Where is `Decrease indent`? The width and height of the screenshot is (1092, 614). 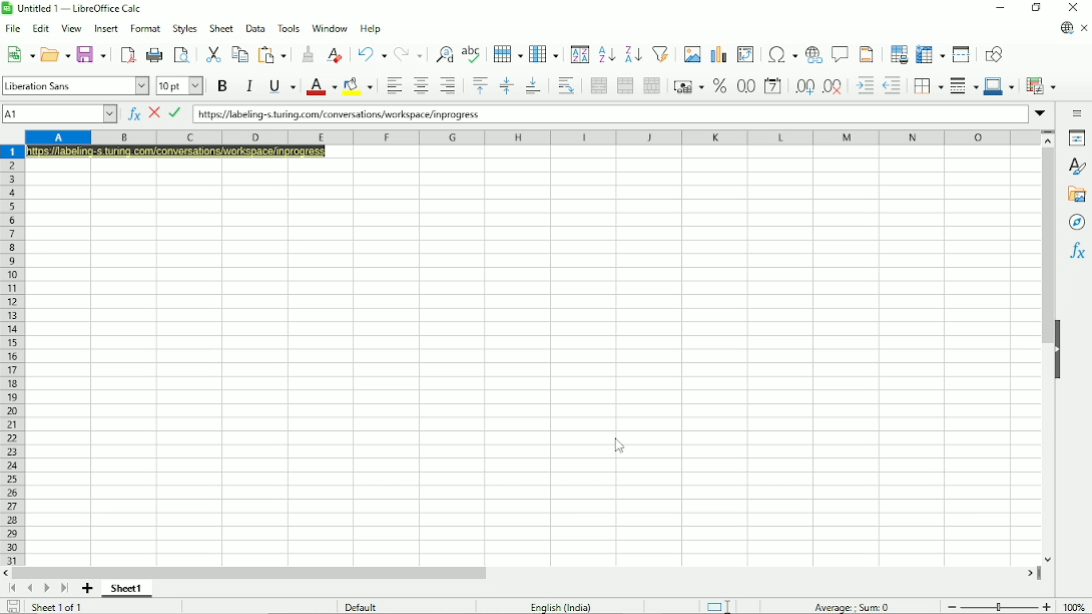 Decrease indent is located at coordinates (892, 87).